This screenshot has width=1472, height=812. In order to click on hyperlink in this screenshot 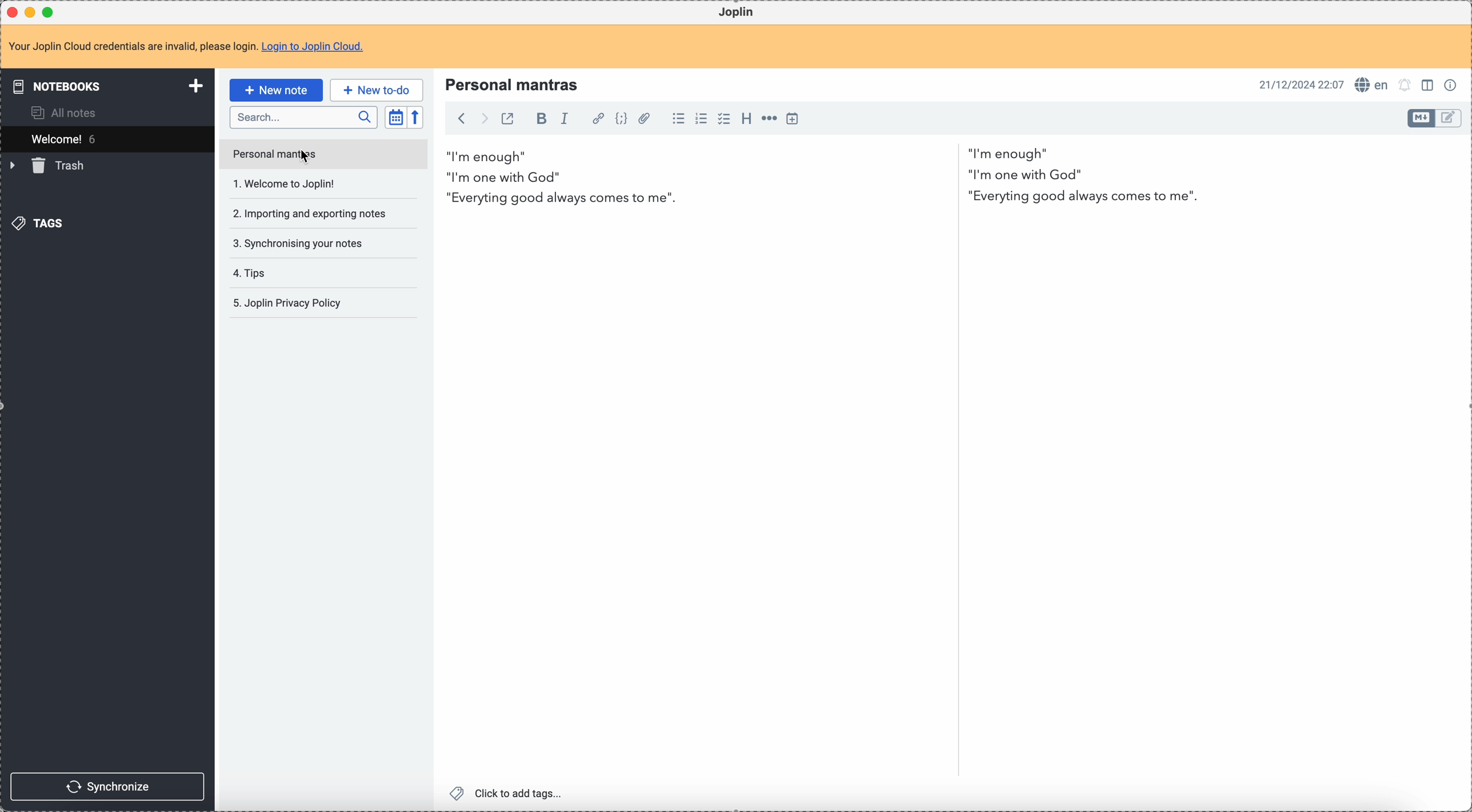, I will do `click(596, 119)`.